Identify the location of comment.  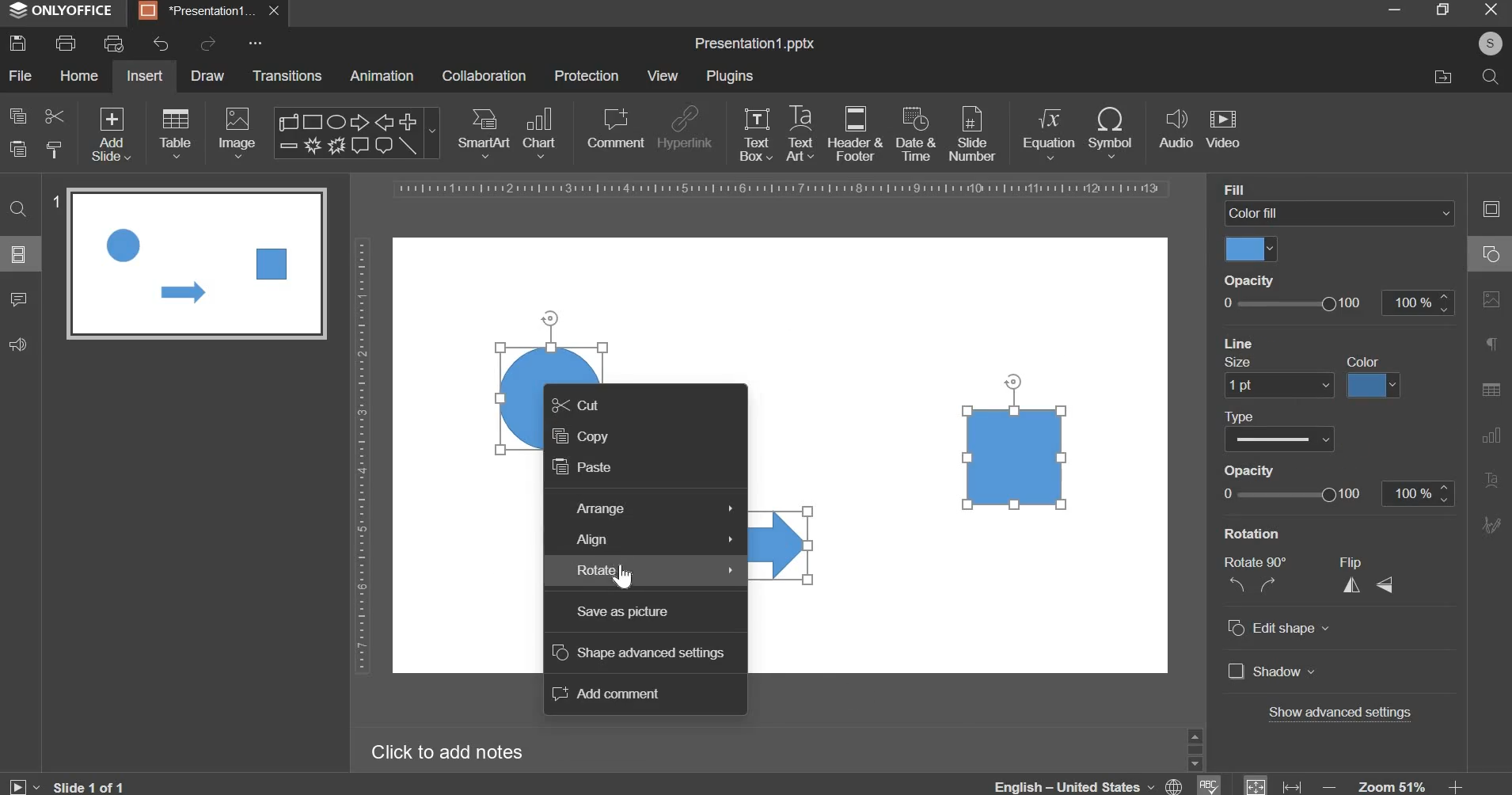
(17, 298).